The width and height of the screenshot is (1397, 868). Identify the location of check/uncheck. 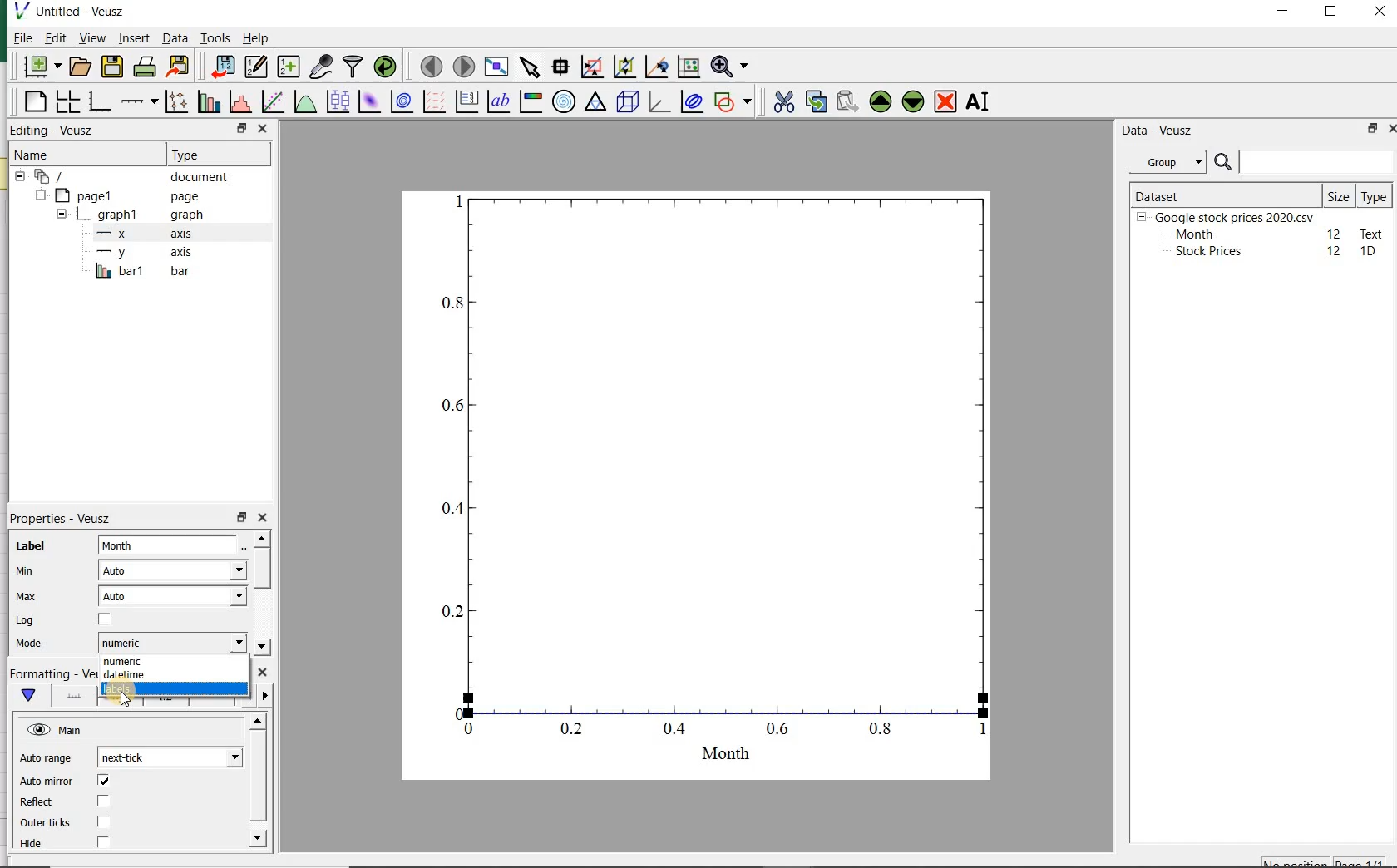
(104, 622).